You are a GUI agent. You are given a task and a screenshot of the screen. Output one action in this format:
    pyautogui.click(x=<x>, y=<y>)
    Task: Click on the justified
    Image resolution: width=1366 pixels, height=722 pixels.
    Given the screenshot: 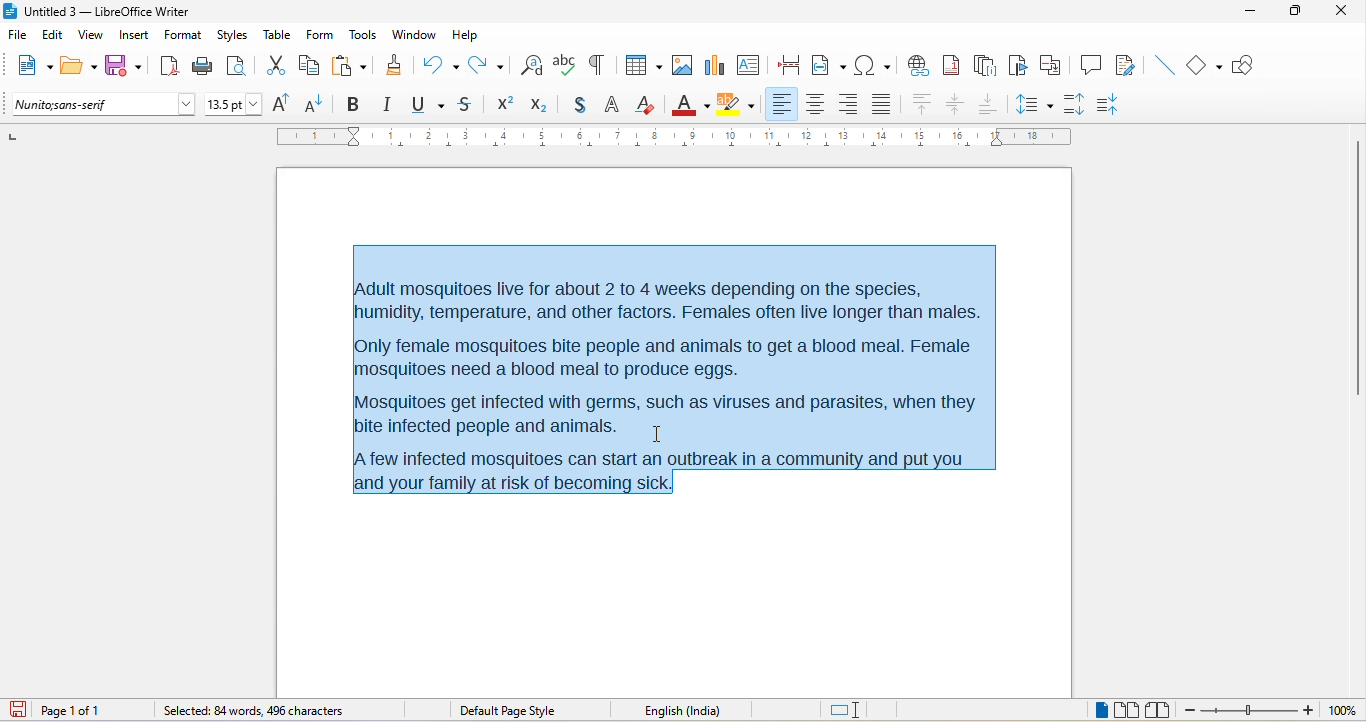 What is the action you would take?
    pyautogui.click(x=885, y=102)
    